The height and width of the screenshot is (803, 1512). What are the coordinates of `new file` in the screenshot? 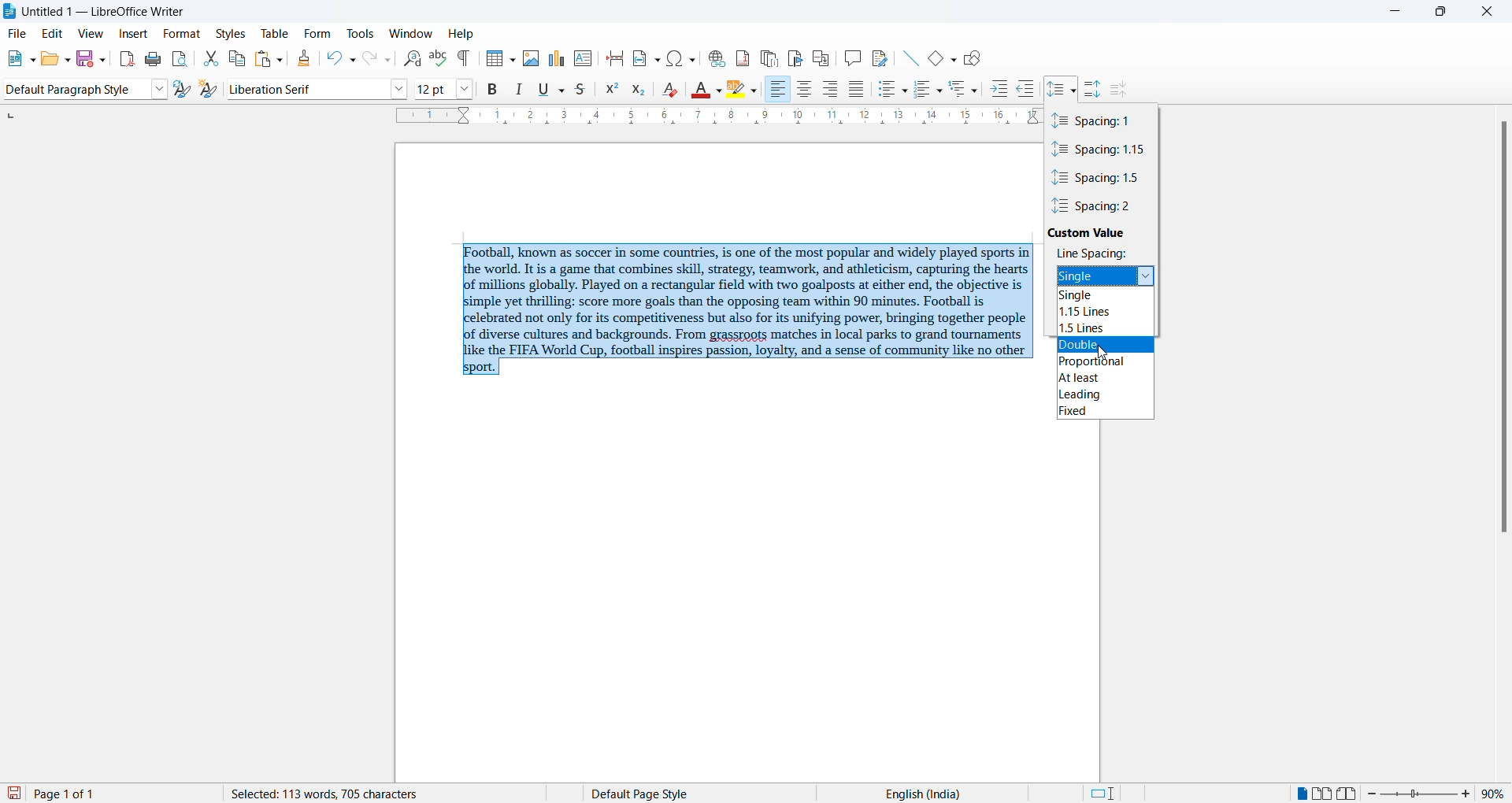 It's located at (11, 60).